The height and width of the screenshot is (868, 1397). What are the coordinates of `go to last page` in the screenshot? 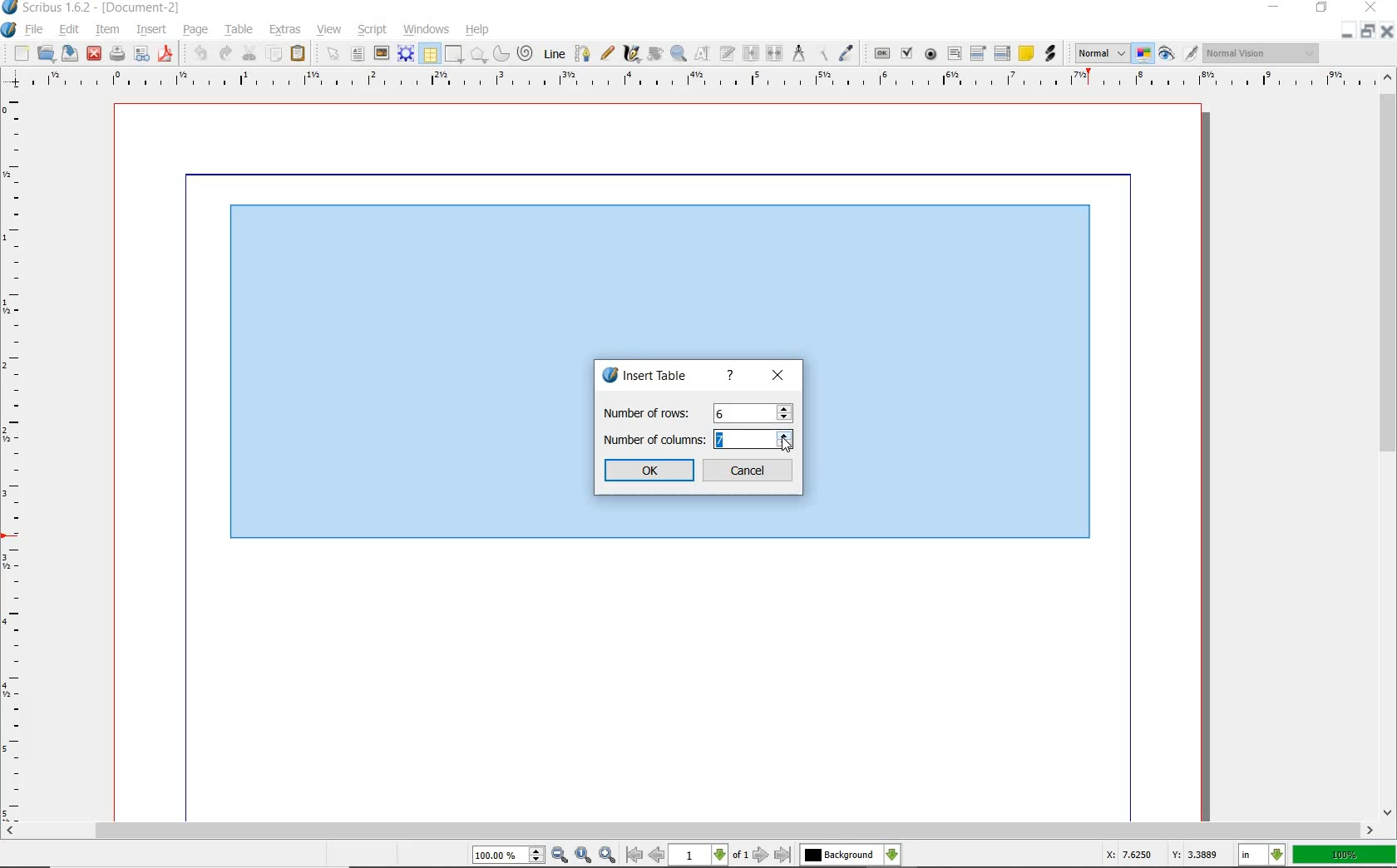 It's located at (782, 855).